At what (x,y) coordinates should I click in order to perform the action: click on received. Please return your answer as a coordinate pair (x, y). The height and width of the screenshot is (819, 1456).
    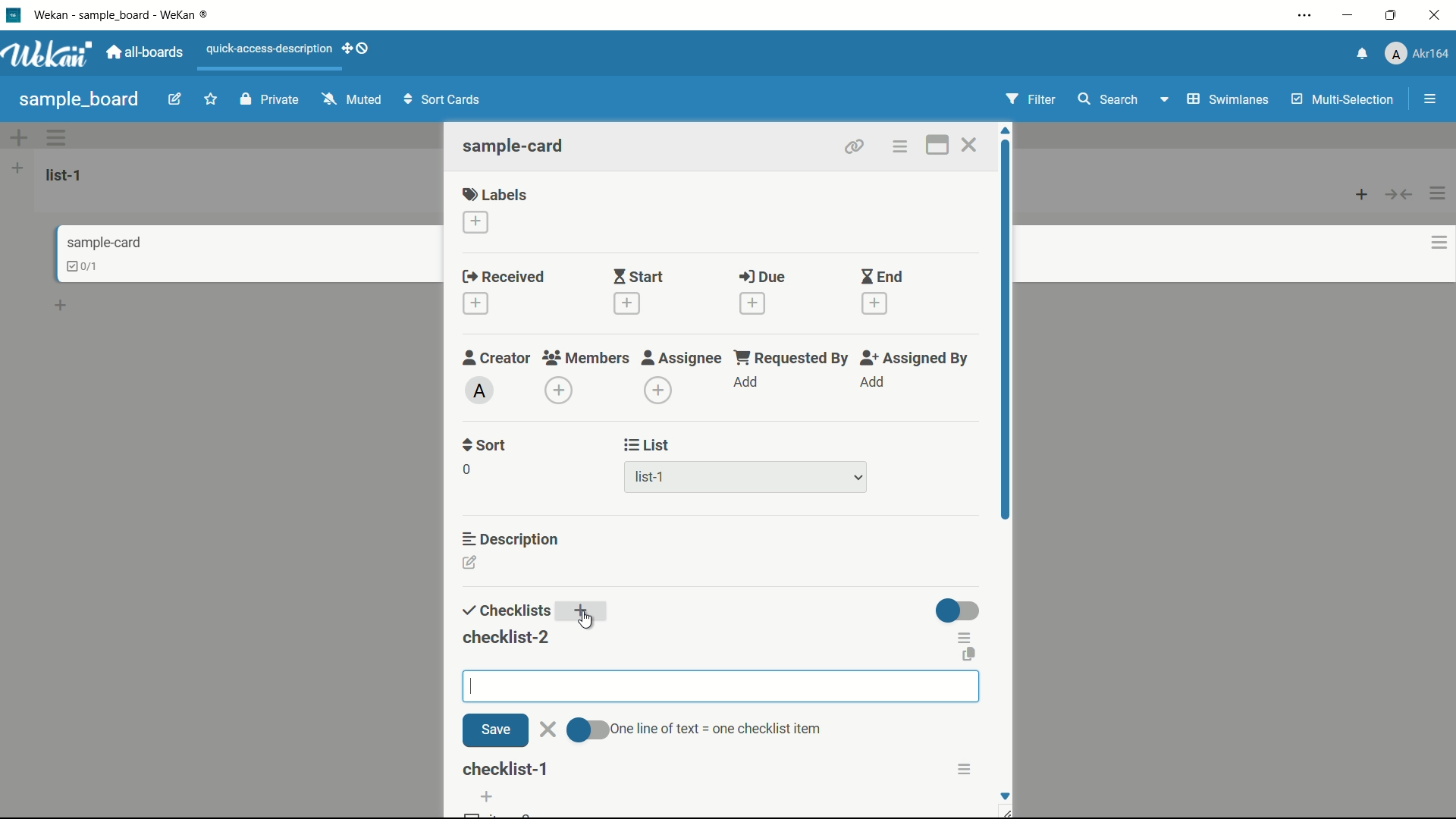
    Looking at the image, I should click on (504, 278).